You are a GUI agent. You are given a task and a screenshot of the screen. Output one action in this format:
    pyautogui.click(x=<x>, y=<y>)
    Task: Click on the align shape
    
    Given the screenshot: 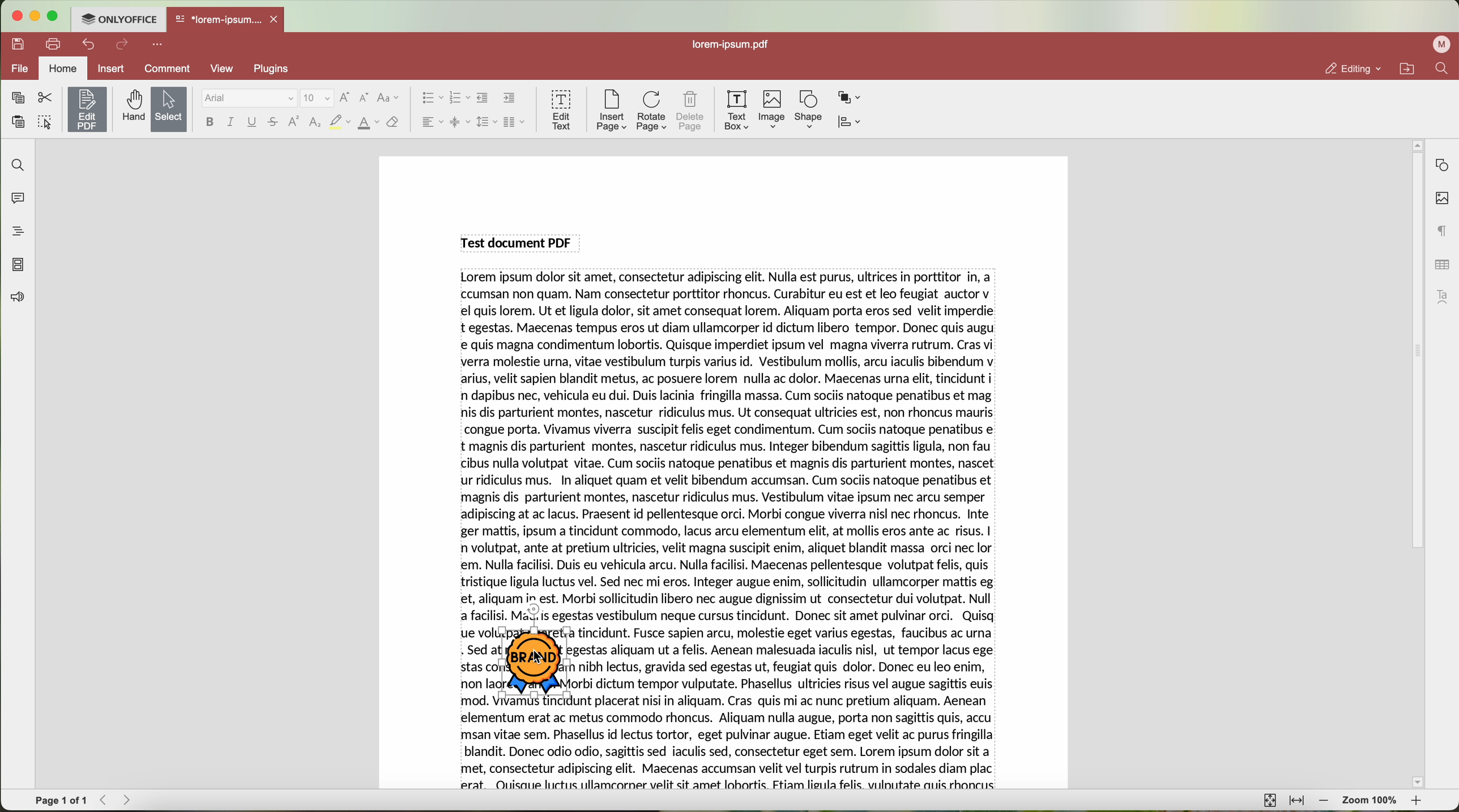 What is the action you would take?
    pyautogui.click(x=852, y=123)
    